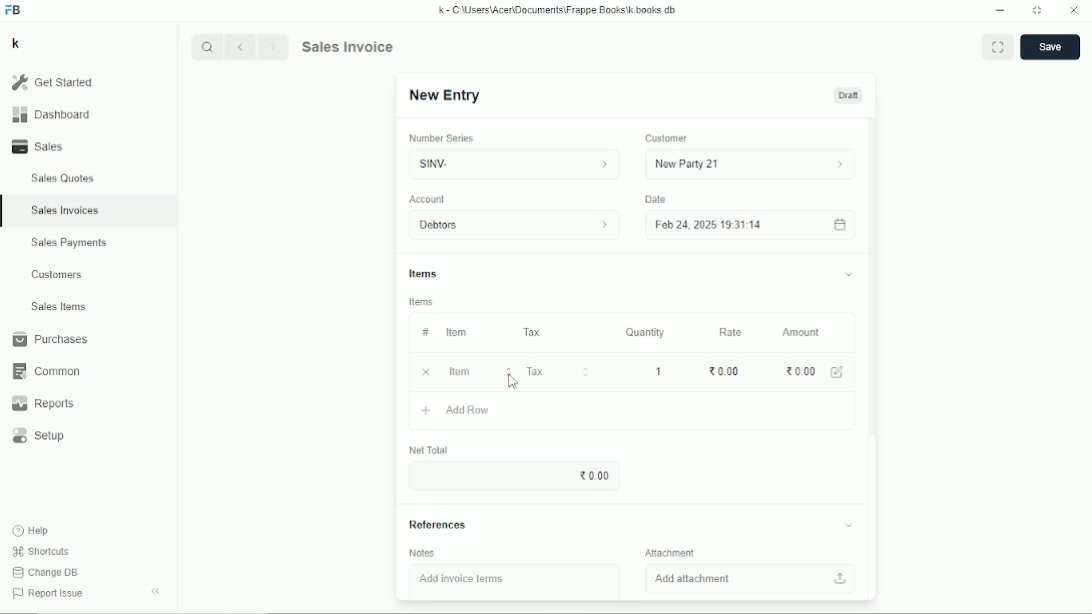  I want to click on 1, so click(661, 371).